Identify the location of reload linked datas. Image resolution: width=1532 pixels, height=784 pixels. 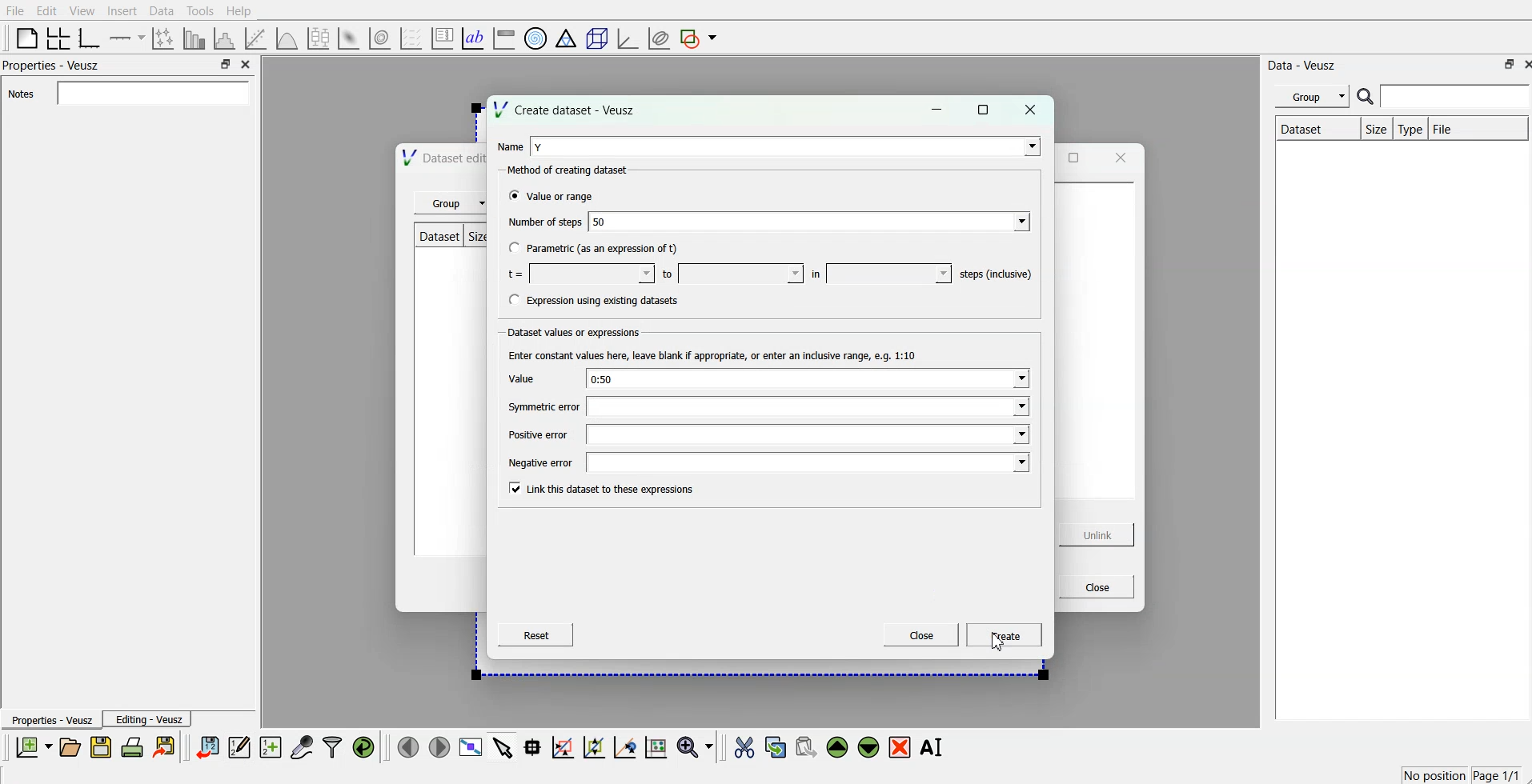
(365, 748).